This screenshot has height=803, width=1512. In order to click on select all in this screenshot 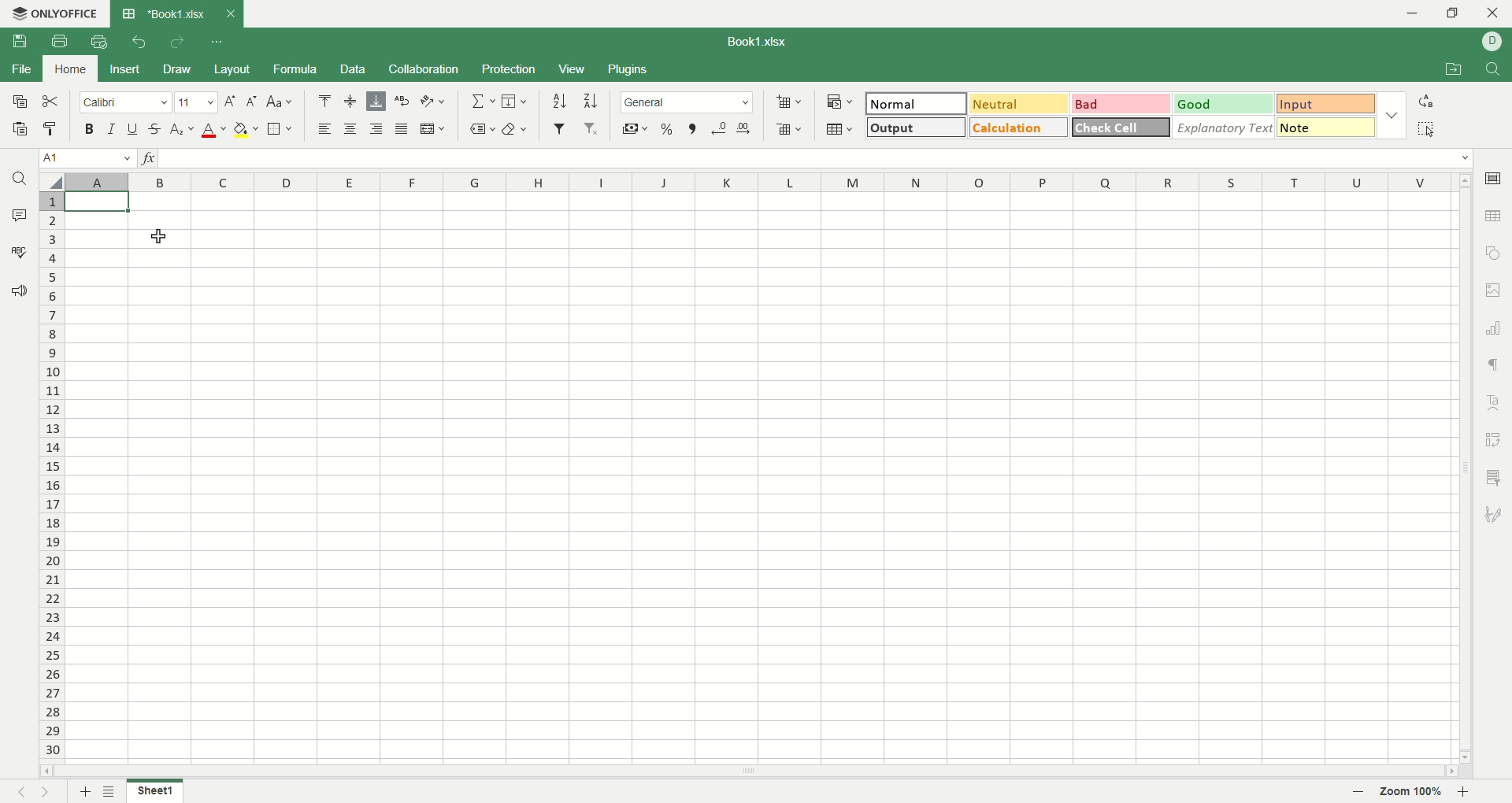, I will do `click(1426, 128)`.